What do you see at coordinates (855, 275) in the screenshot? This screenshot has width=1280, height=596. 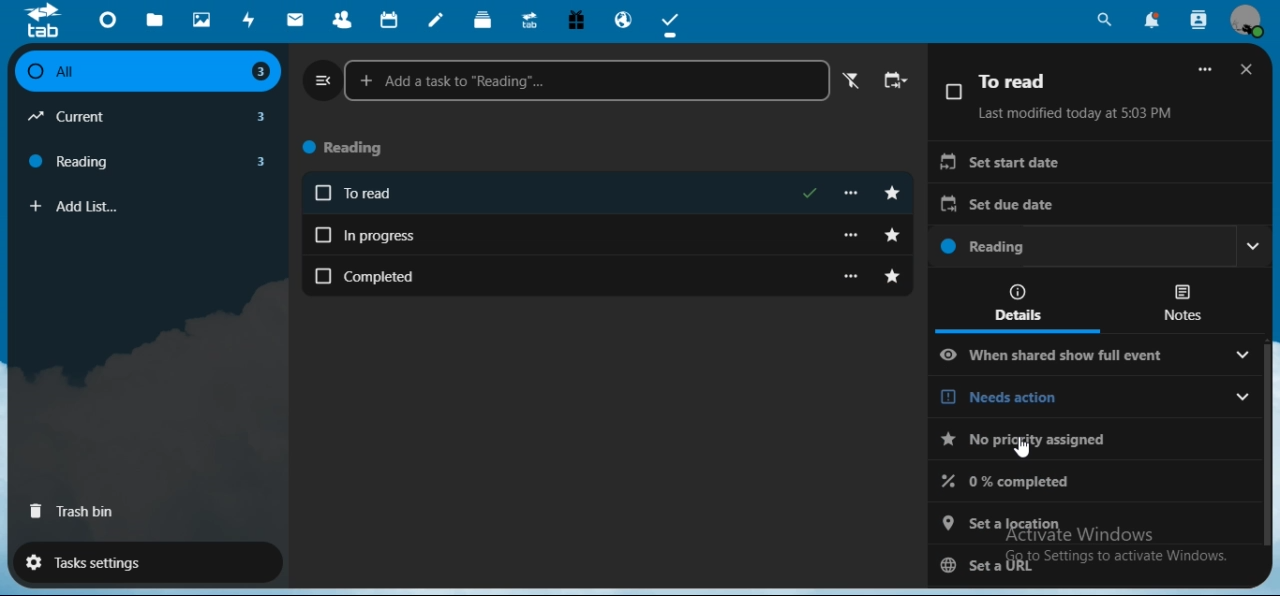 I see `more` at bounding box center [855, 275].